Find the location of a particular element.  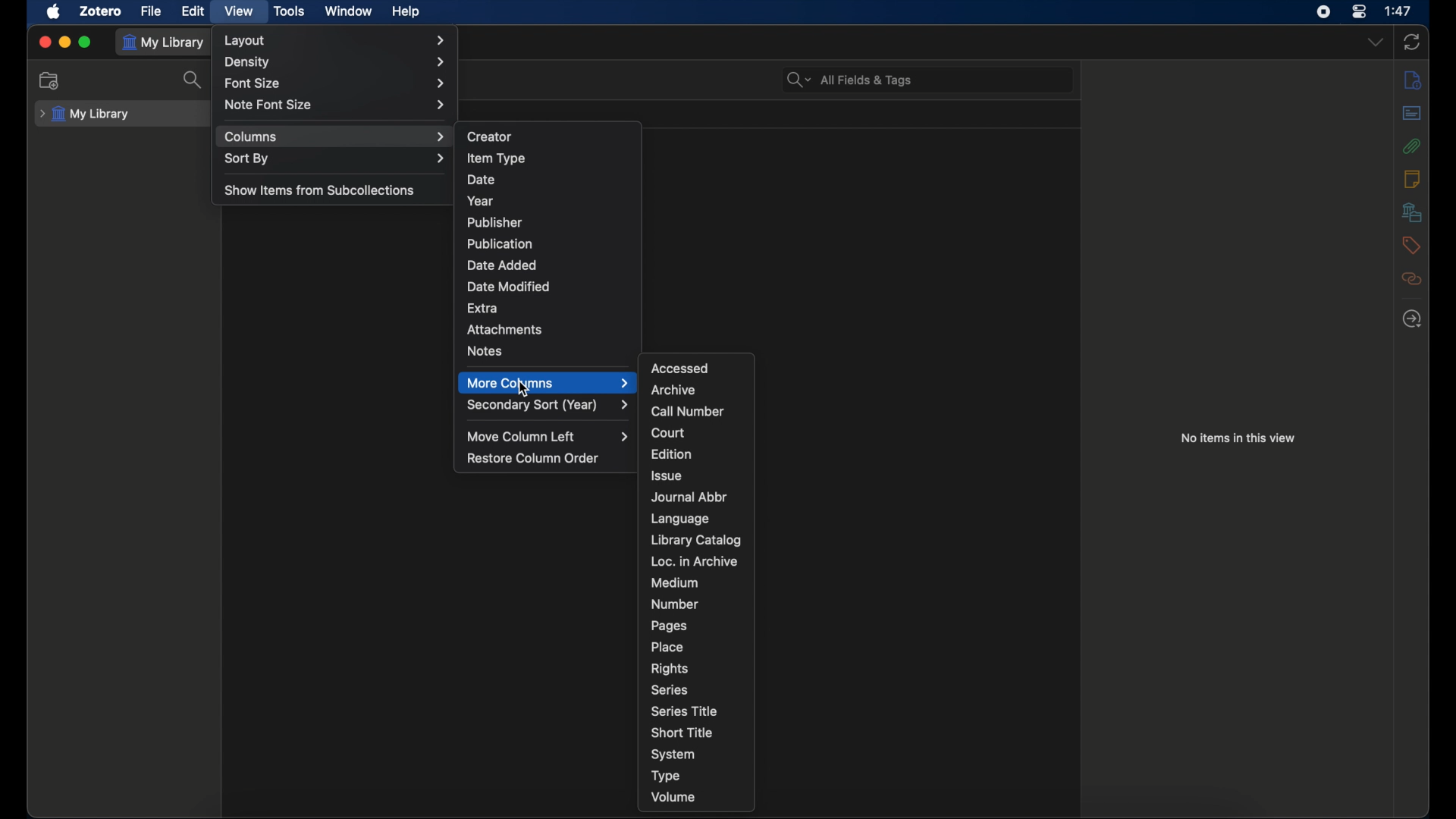

date is located at coordinates (481, 179).